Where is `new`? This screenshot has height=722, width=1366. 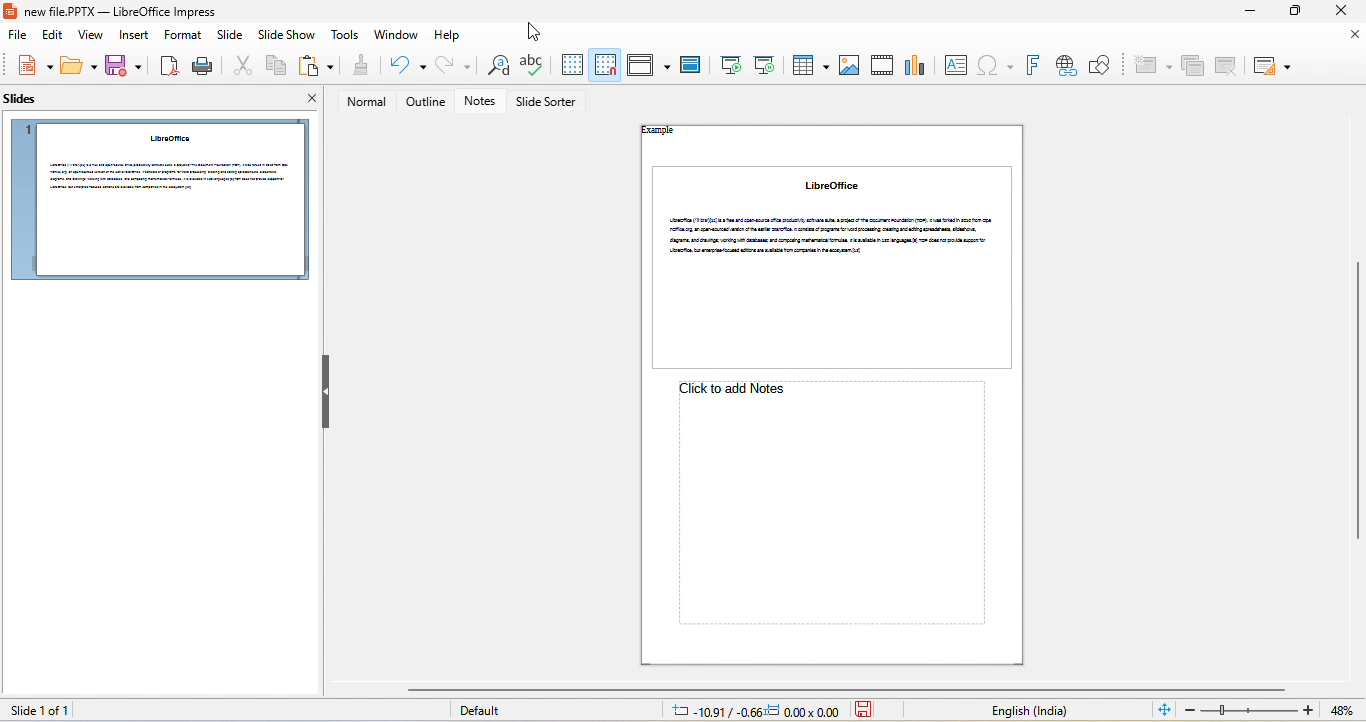 new is located at coordinates (30, 66).